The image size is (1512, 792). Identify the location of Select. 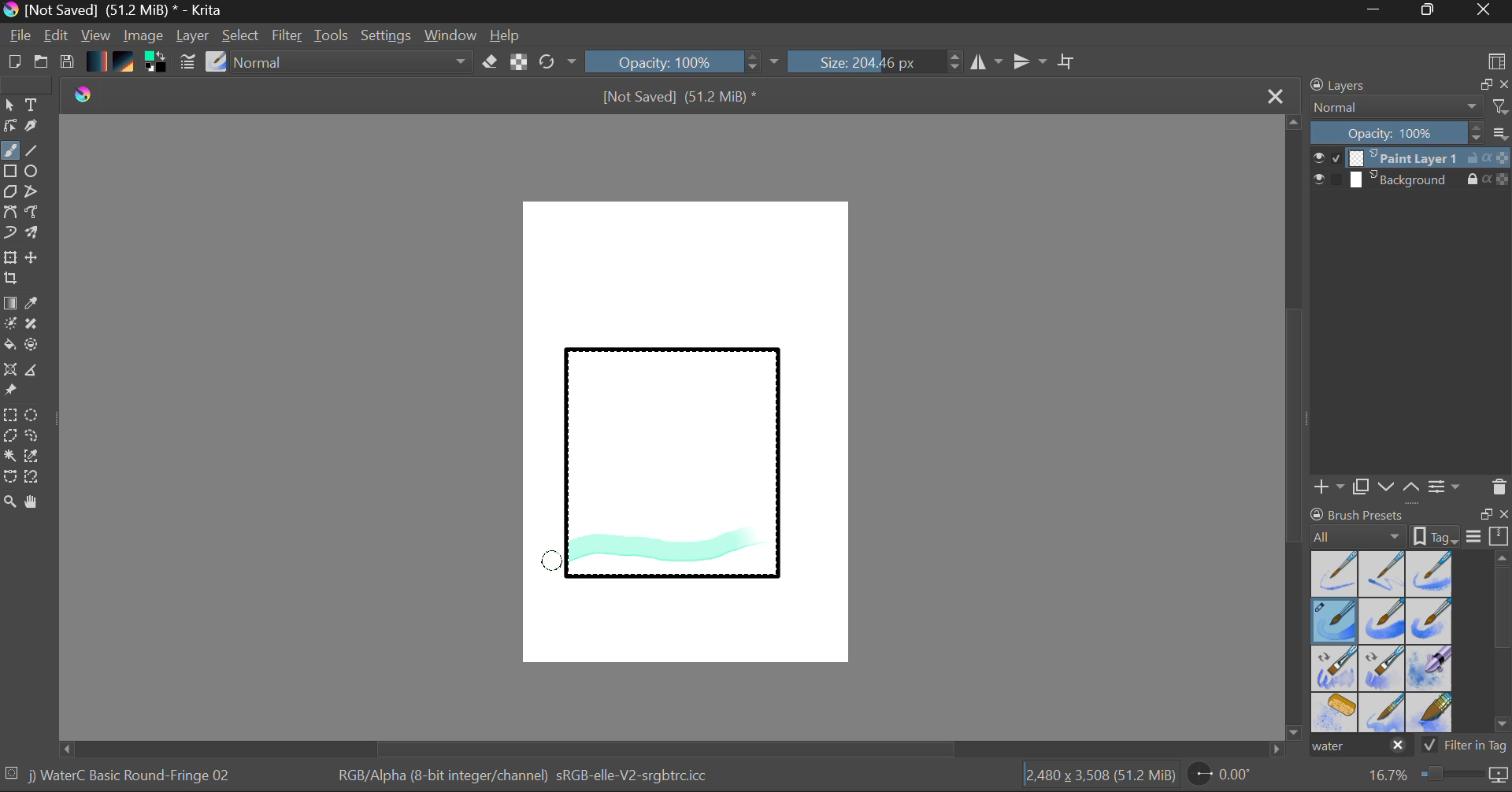
(9, 105).